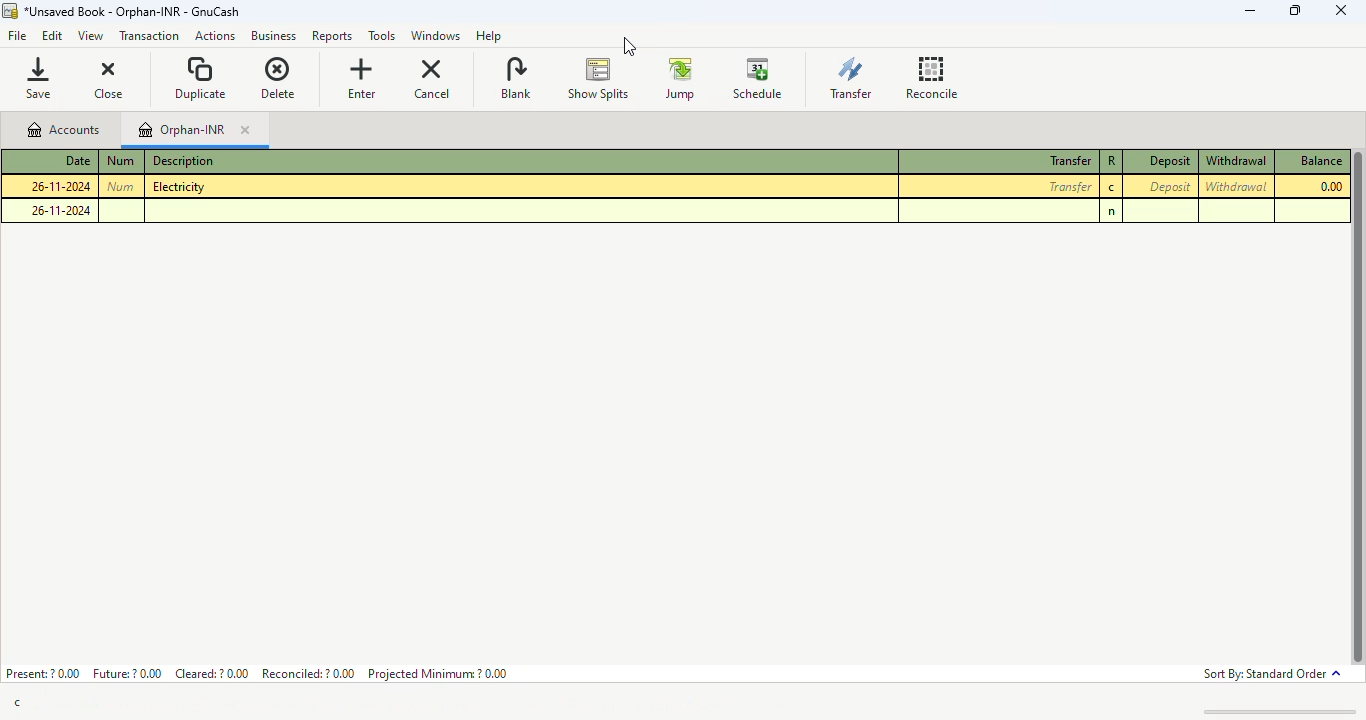 The height and width of the screenshot is (720, 1366). What do you see at coordinates (18, 37) in the screenshot?
I see `file` at bounding box center [18, 37].